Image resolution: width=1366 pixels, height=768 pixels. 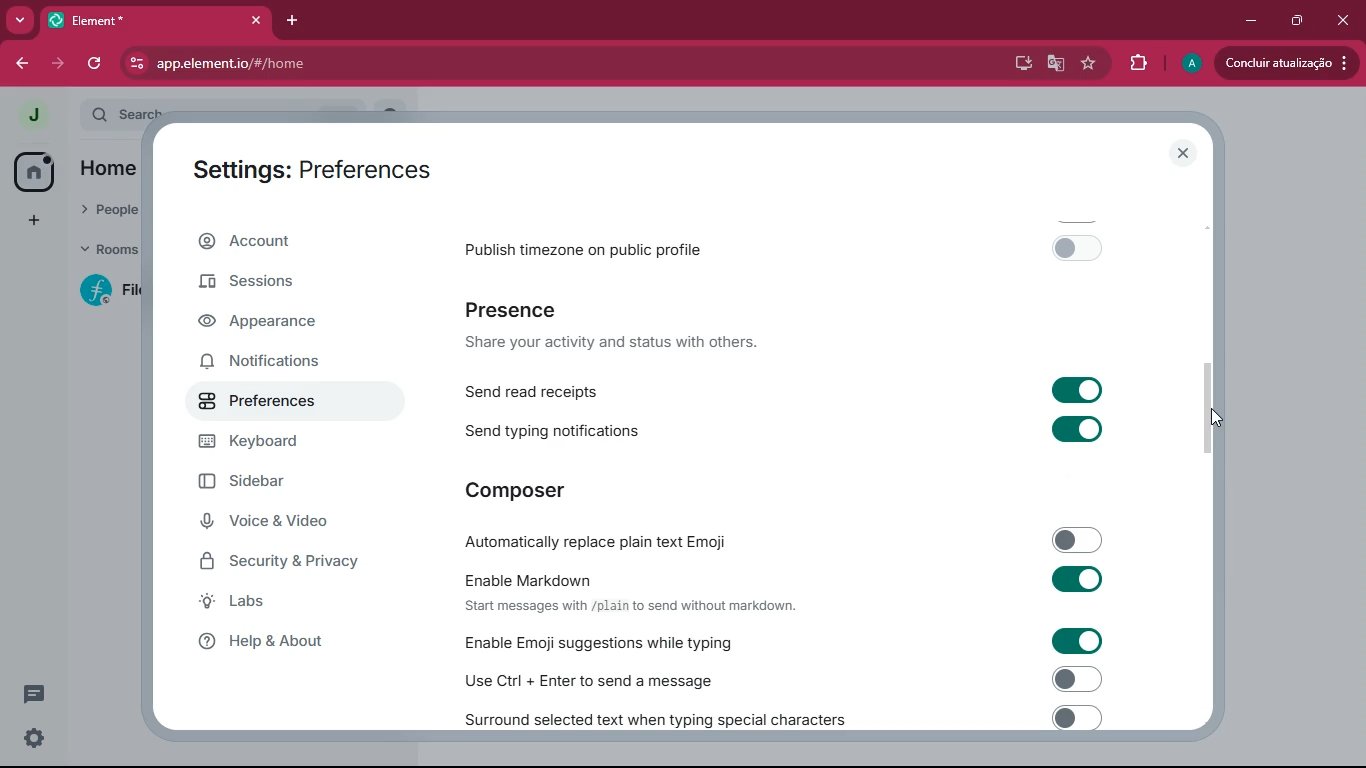 What do you see at coordinates (1283, 63) in the screenshot?
I see `update` at bounding box center [1283, 63].